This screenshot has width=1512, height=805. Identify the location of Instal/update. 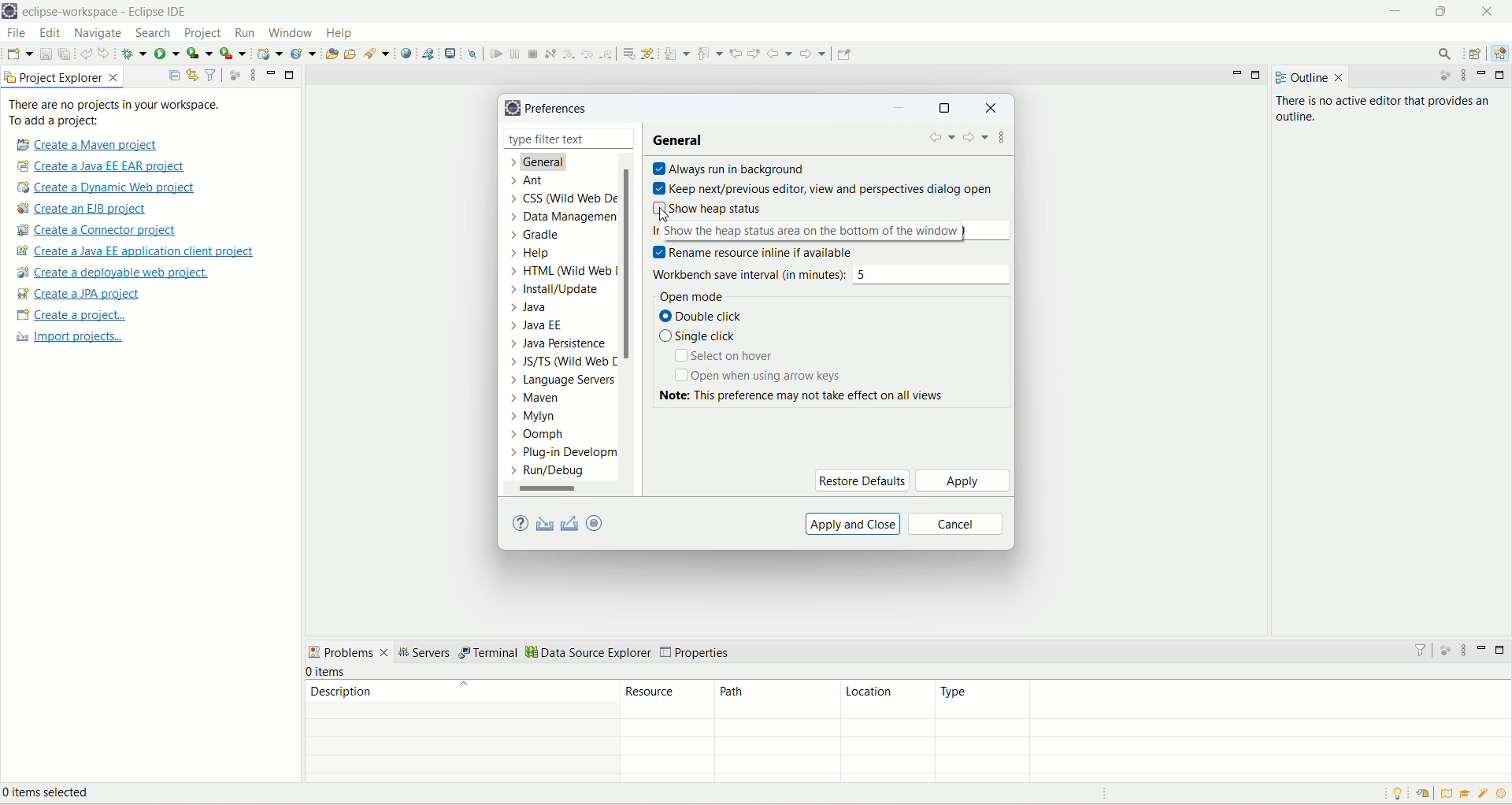
(555, 291).